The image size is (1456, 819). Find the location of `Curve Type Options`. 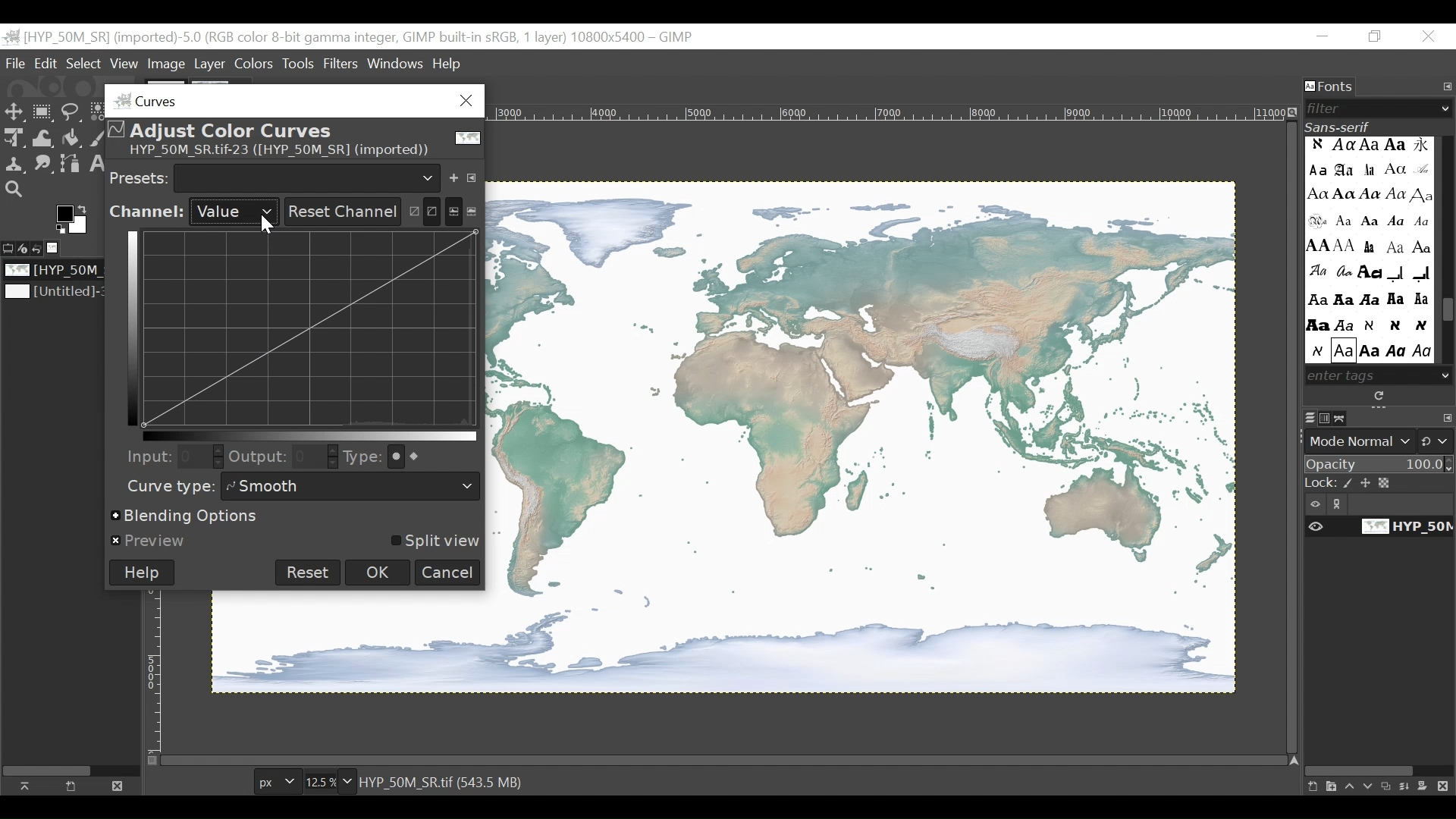

Curve Type Options is located at coordinates (411, 457).